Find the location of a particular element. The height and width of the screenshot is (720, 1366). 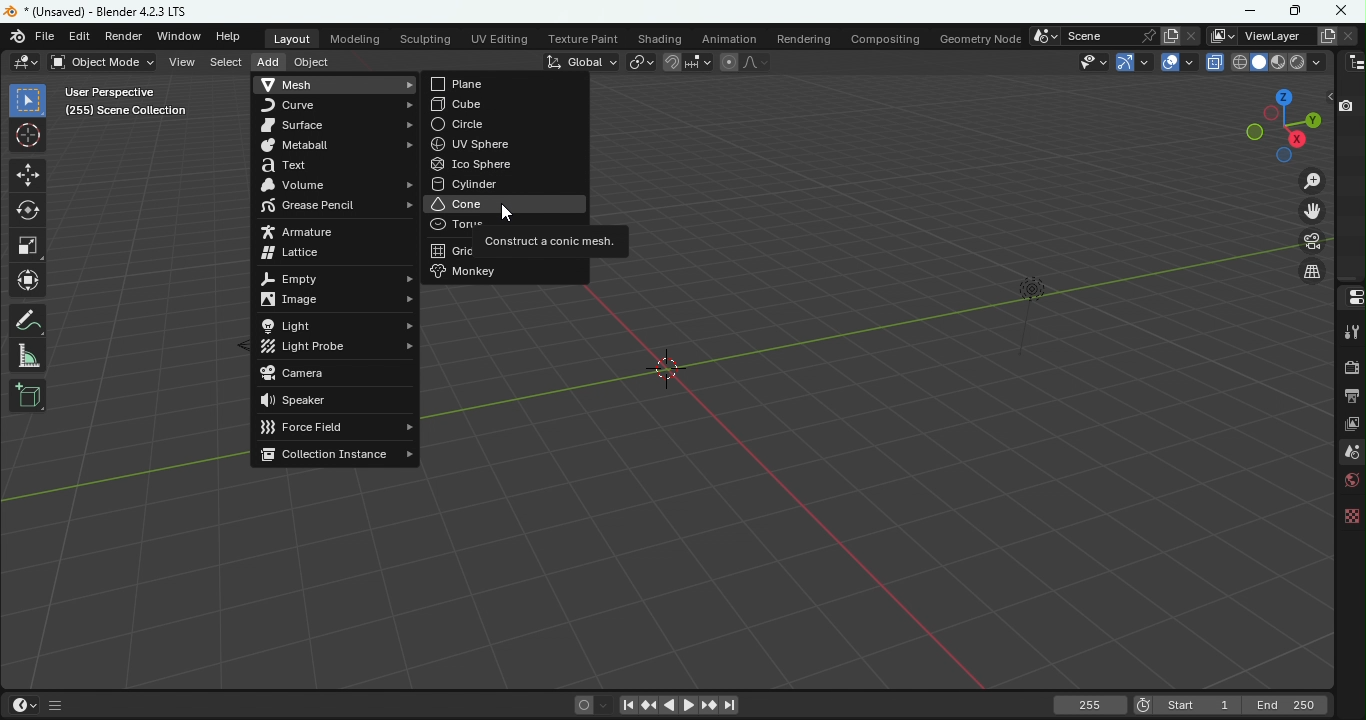

Toggle X-ray is located at coordinates (1216, 63).